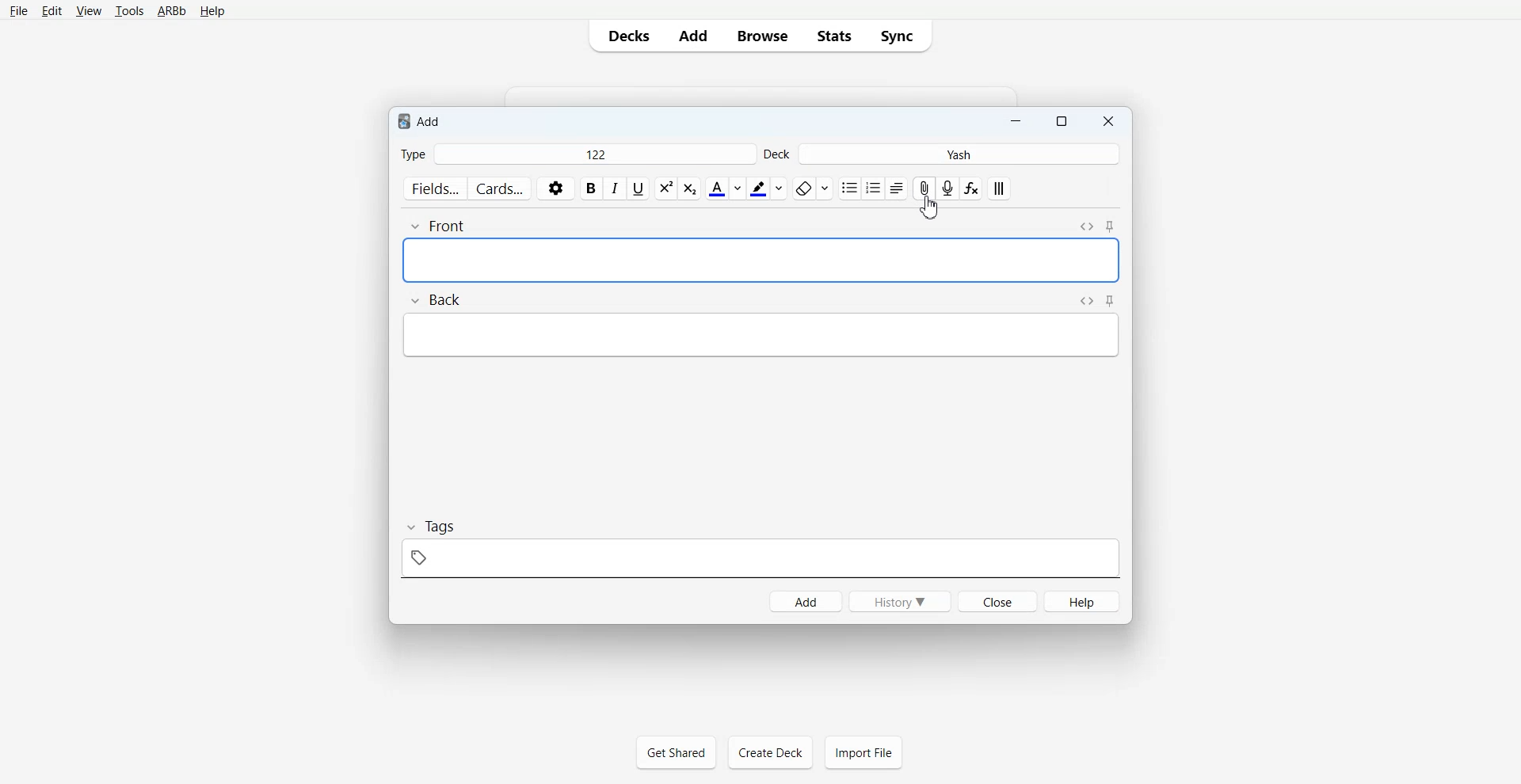  I want to click on Ordered list, so click(872, 188).